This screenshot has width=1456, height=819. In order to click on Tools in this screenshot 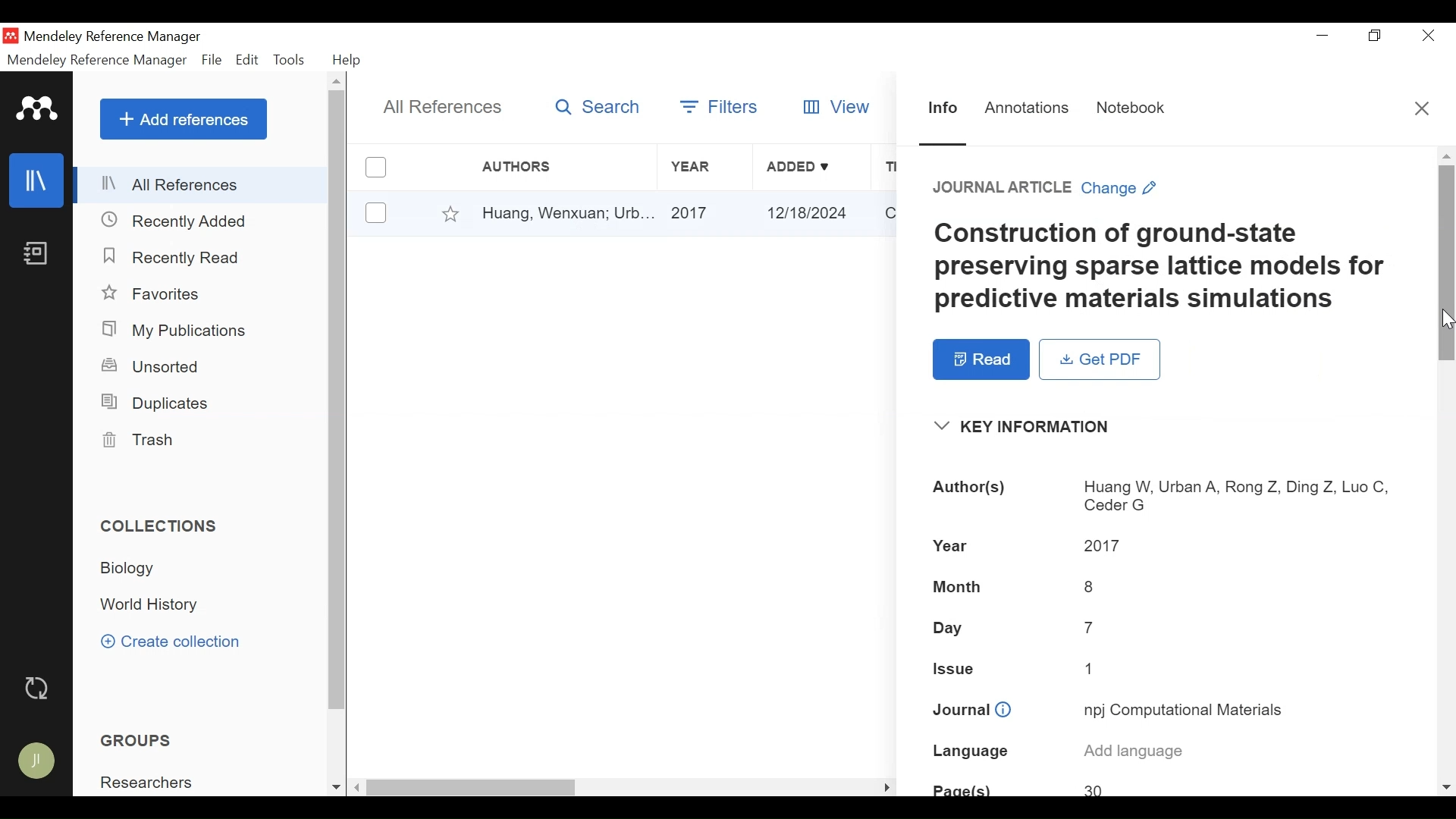, I will do `click(290, 60)`.